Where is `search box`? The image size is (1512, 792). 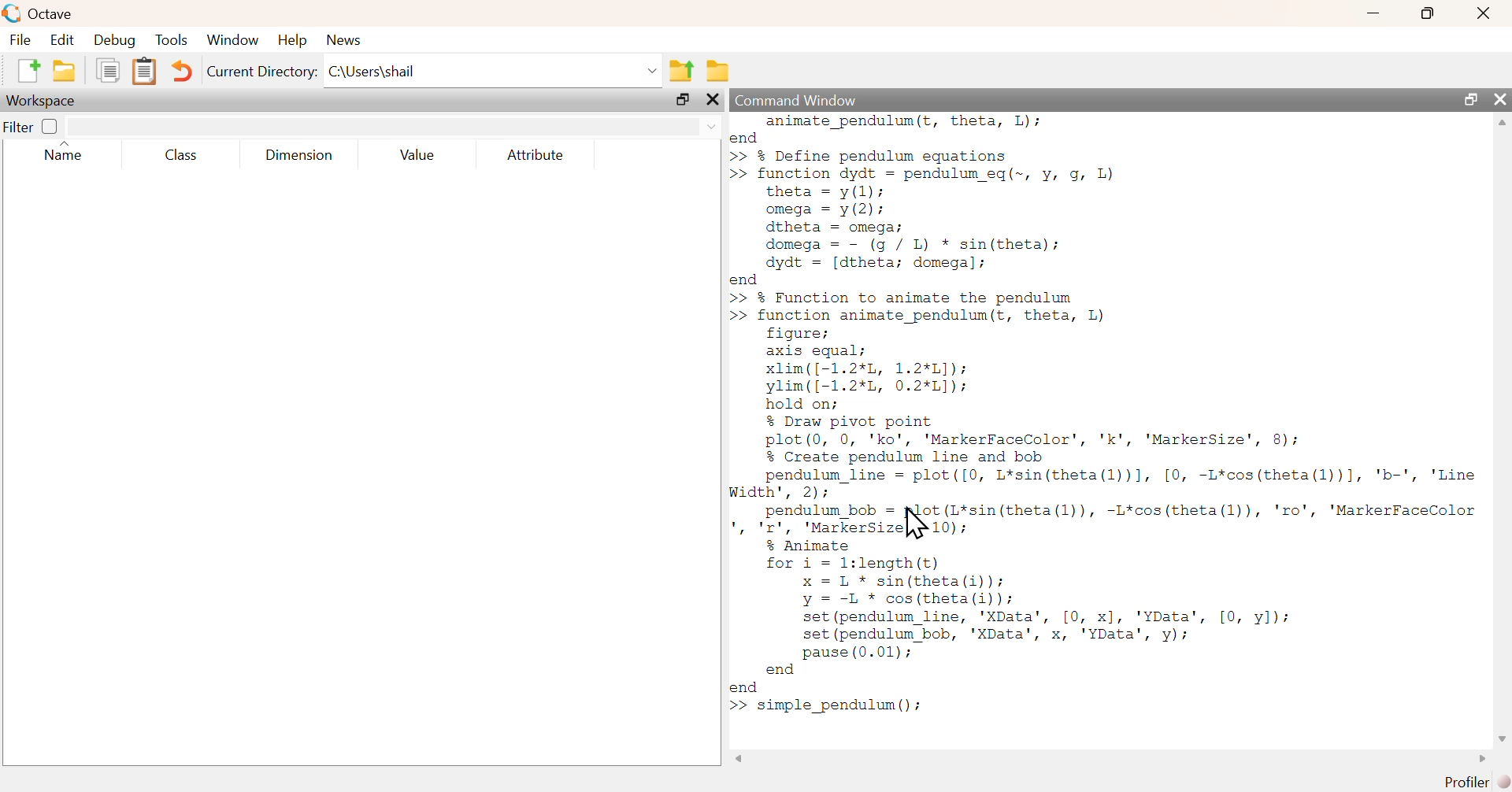
search box is located at coordinates (377, 127).